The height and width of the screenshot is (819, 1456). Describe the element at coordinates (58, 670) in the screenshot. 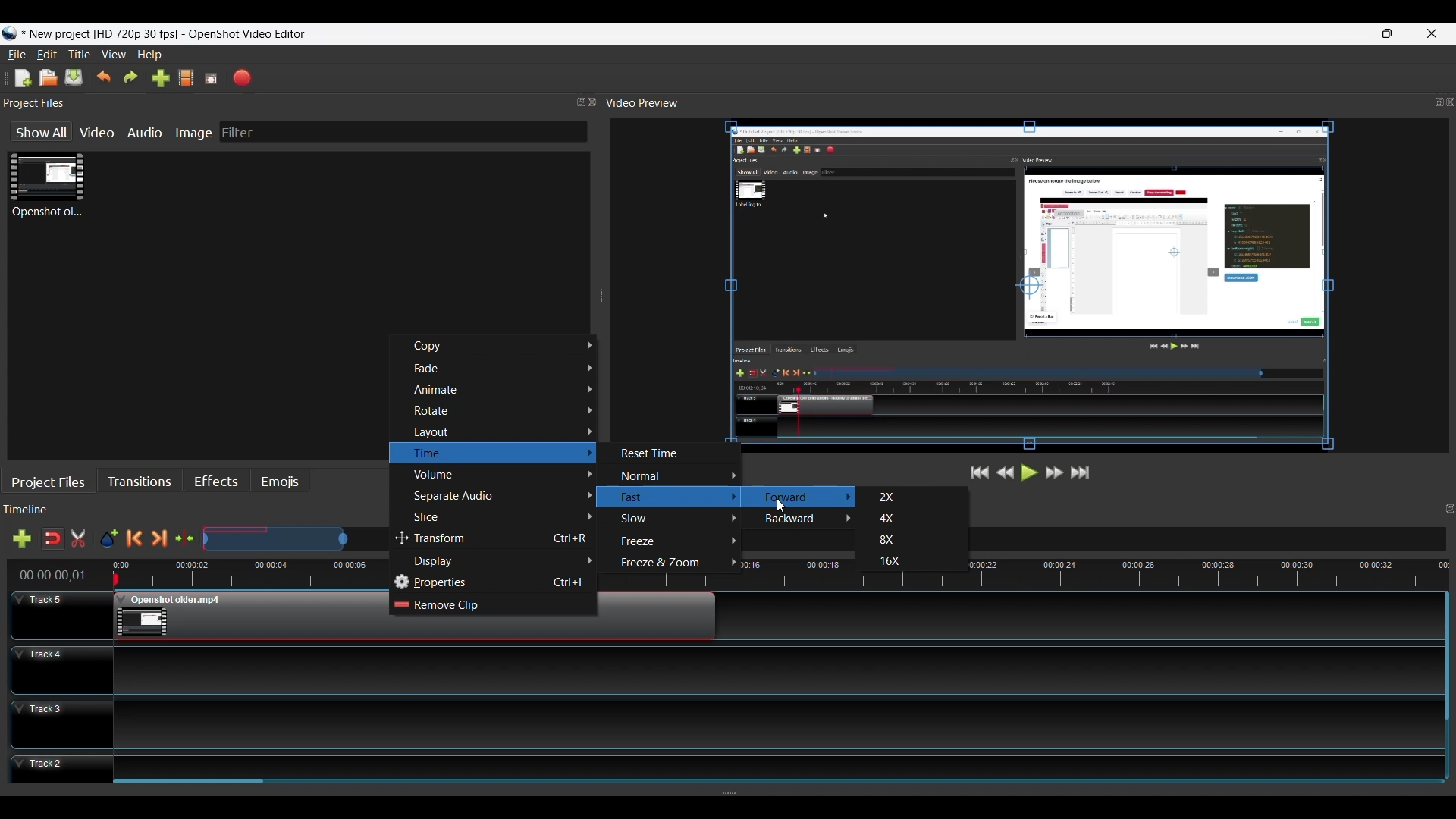

I see `Track Header` at that location.